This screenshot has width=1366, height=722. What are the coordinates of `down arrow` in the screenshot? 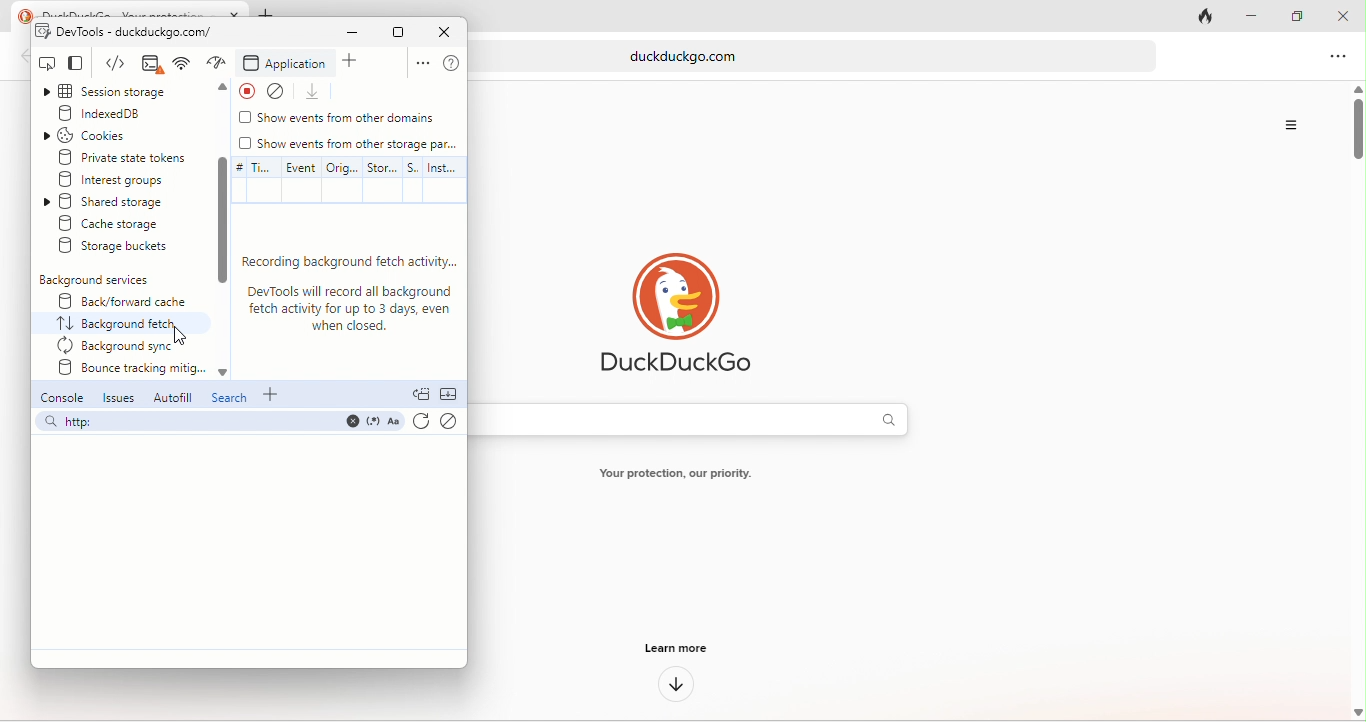 It's located at (671, 687).